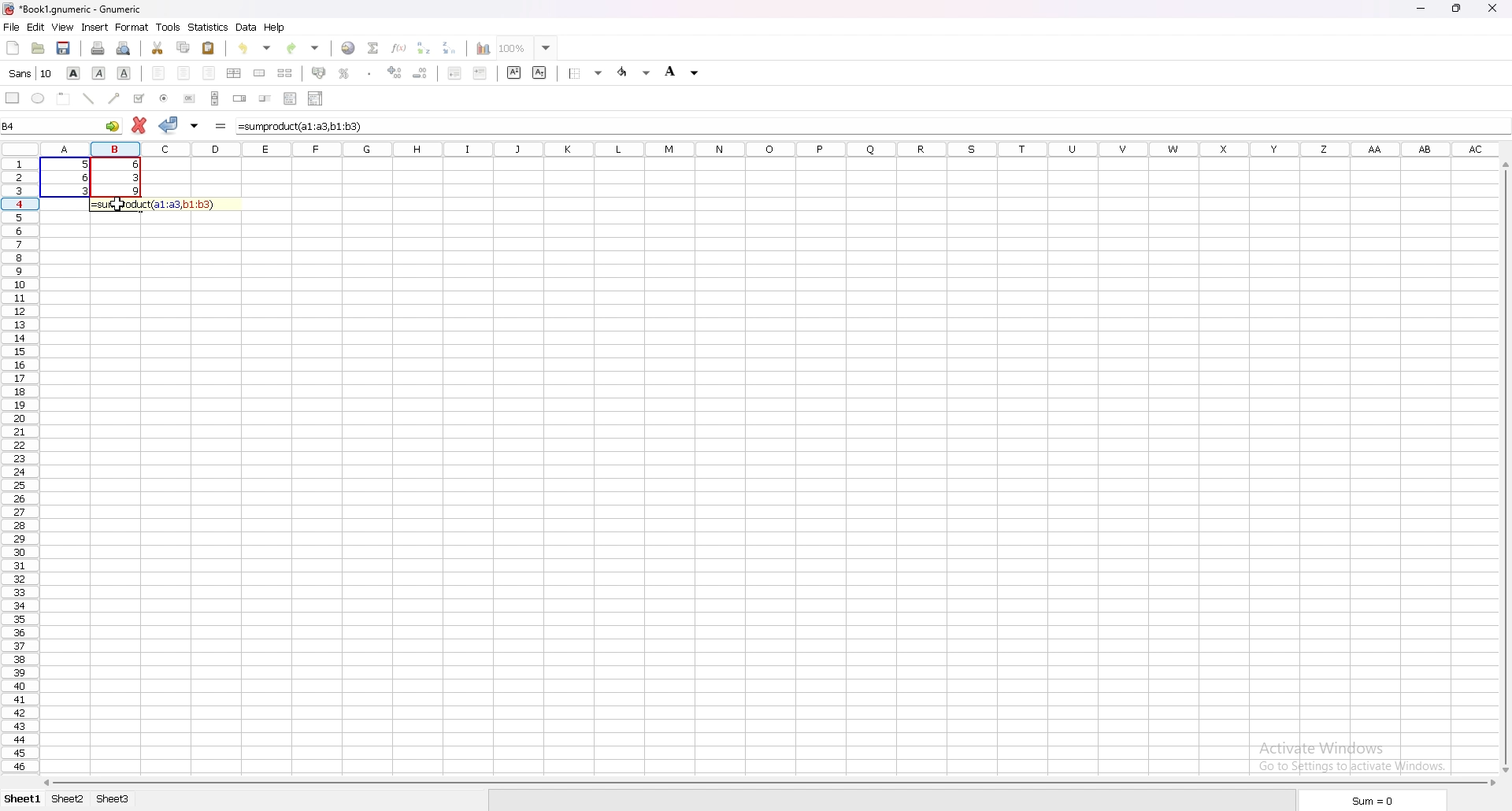 The height and width of the screenshot is (811, 1512). Describe the element at coordinates (138, 98) in the screenshot. I see `checkbox` at that location.